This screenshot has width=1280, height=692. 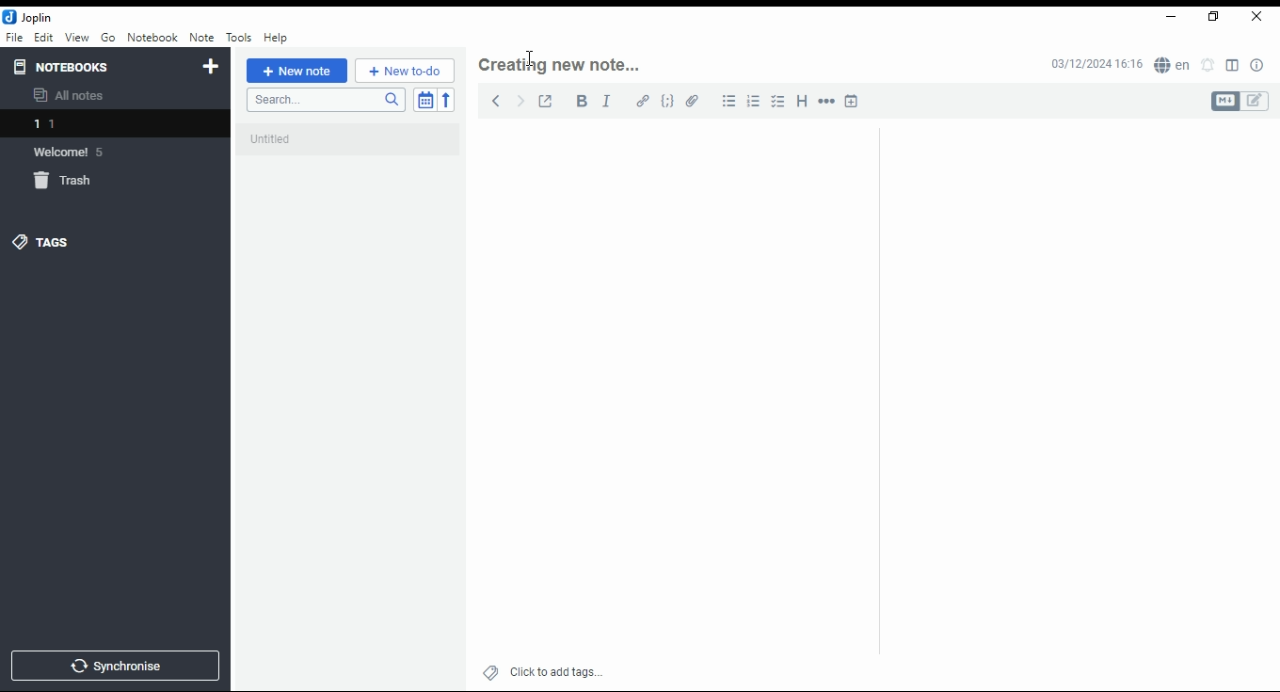 What do you see at coordinates (446, 100) in the screenshot?
I see `reverse sort order` at bounding box center [446, 100].